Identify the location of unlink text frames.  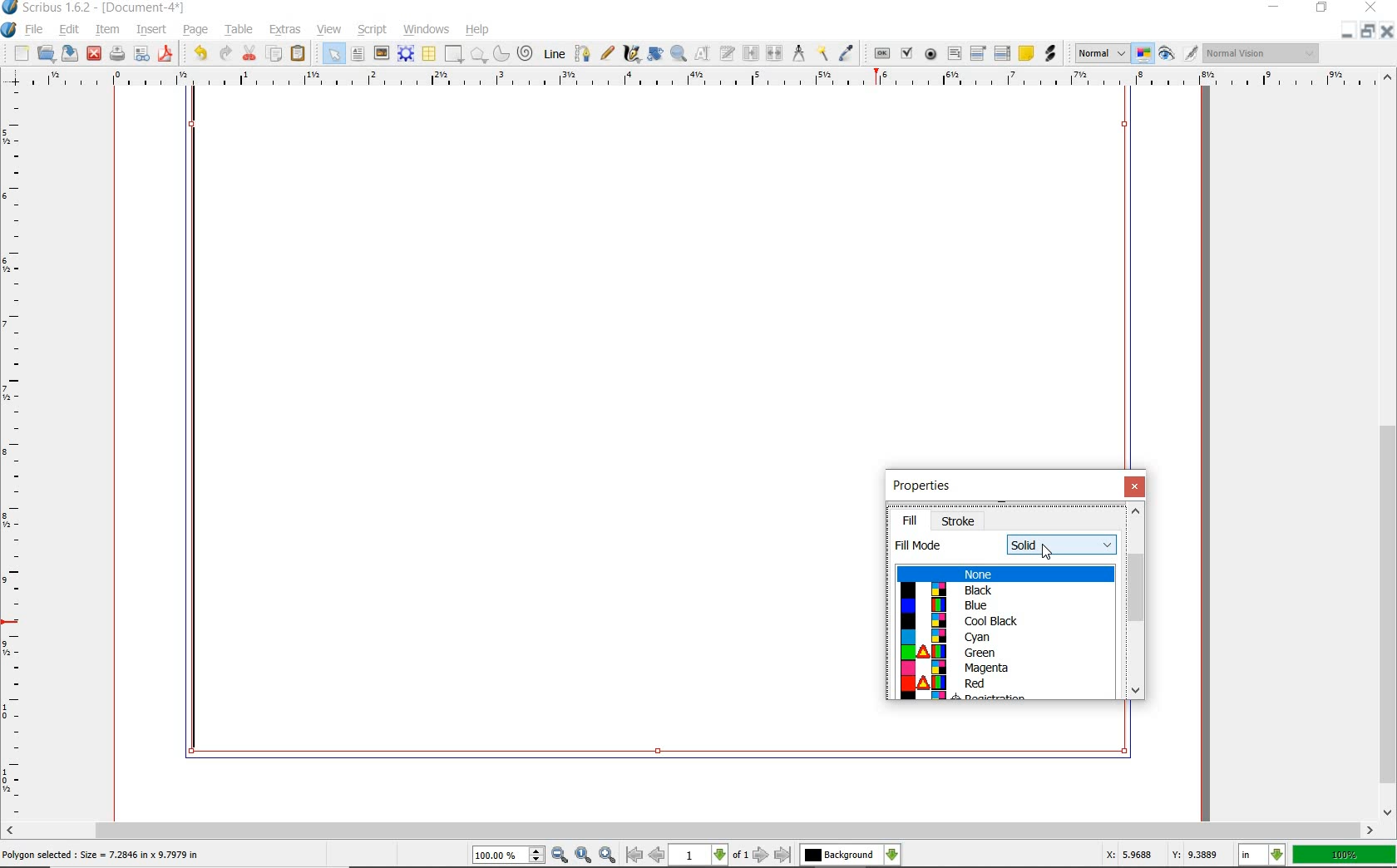
(773, 52).